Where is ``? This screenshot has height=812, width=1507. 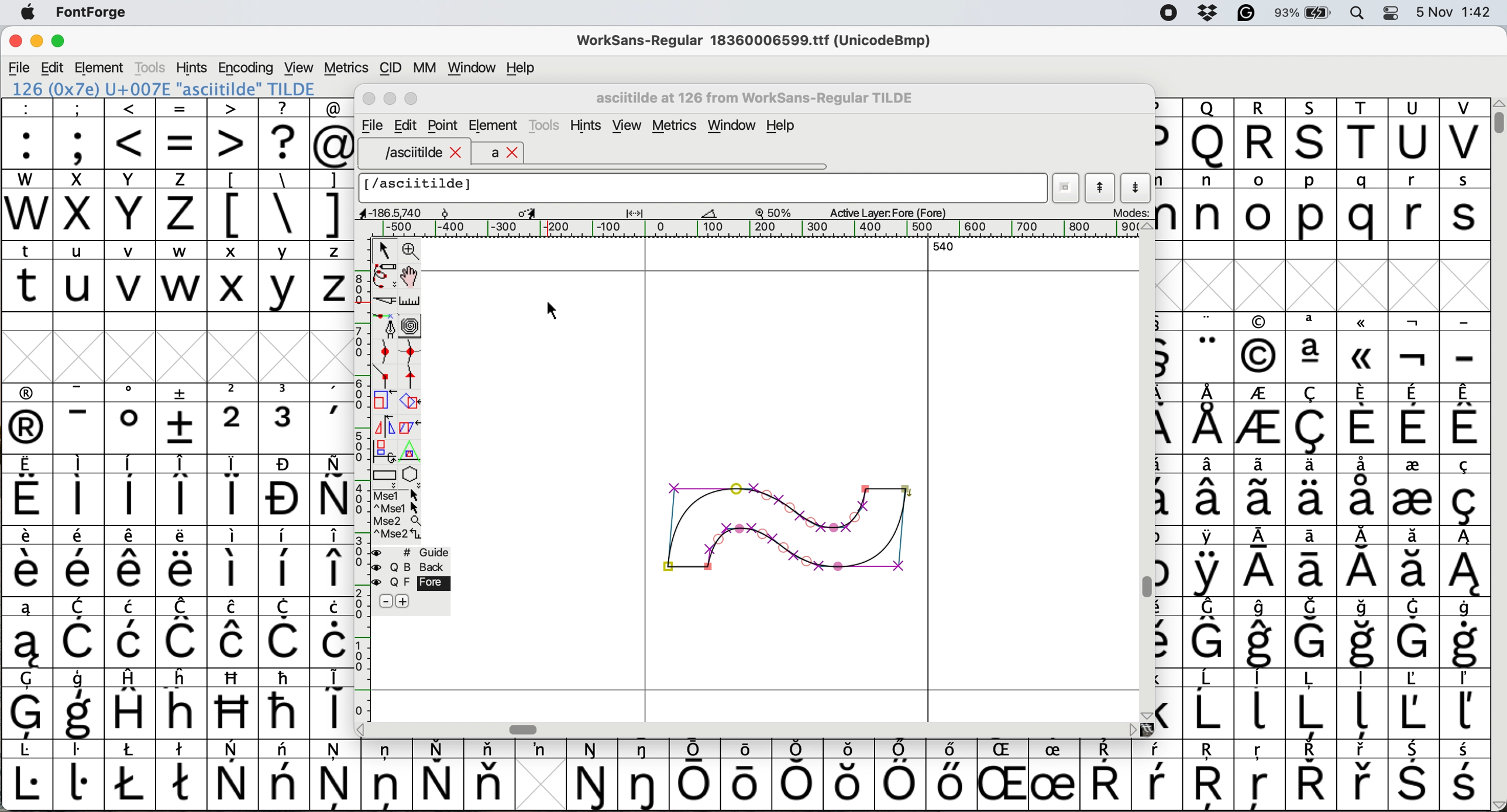
 is located at coordinates (850, 775).